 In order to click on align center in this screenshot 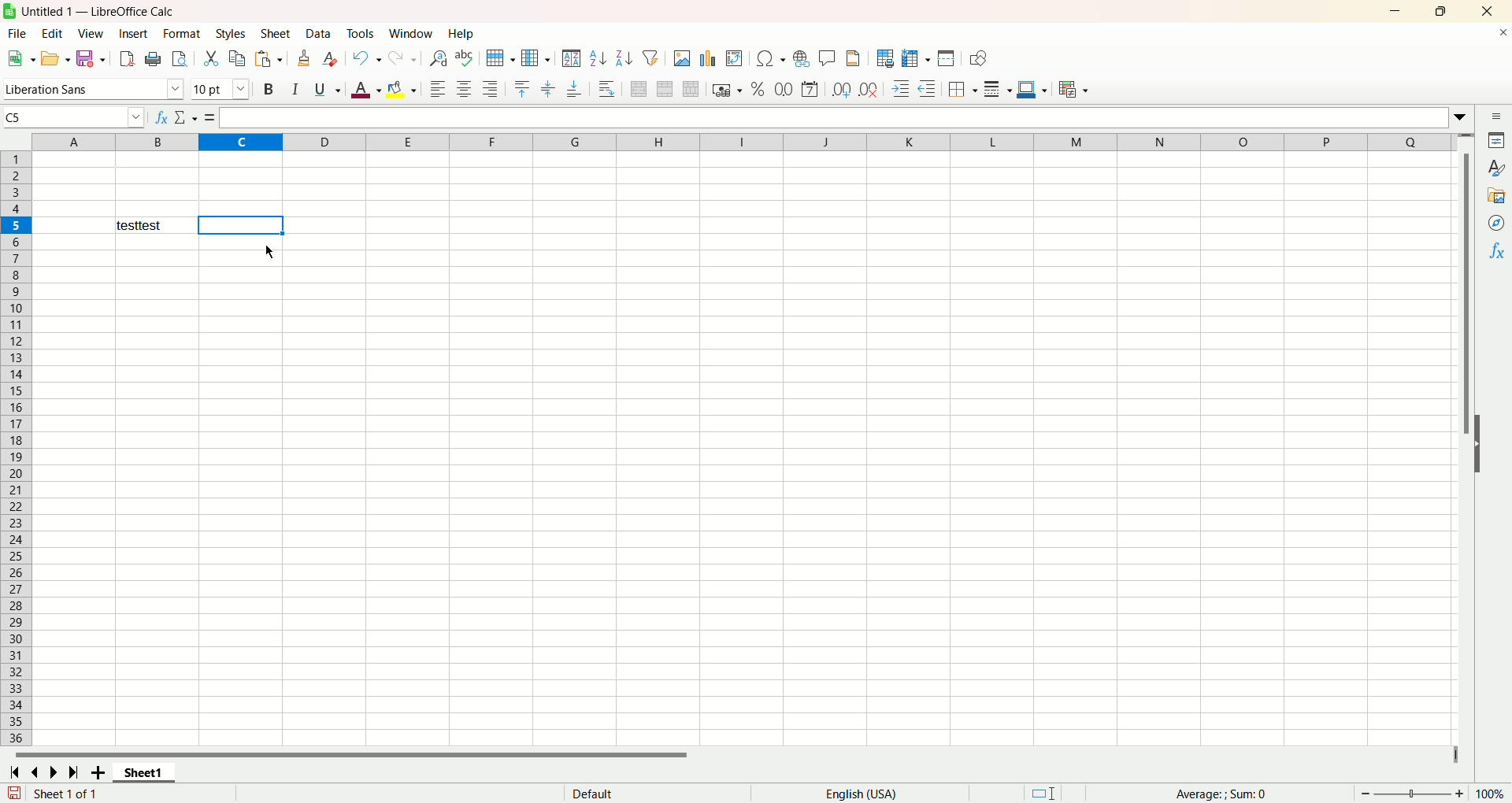, I will do `click(465, 89)`.